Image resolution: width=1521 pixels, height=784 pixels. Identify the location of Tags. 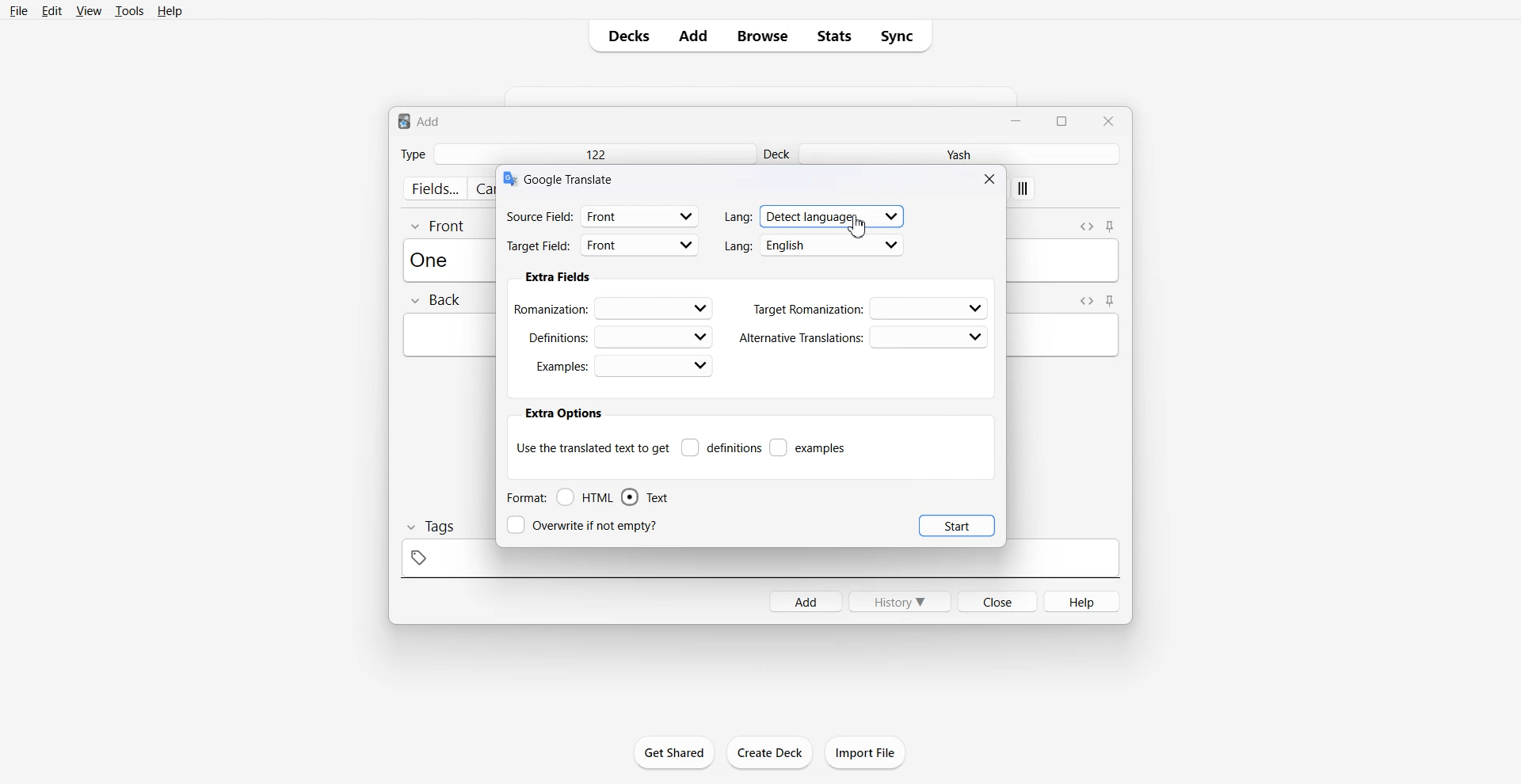
(429, 527).